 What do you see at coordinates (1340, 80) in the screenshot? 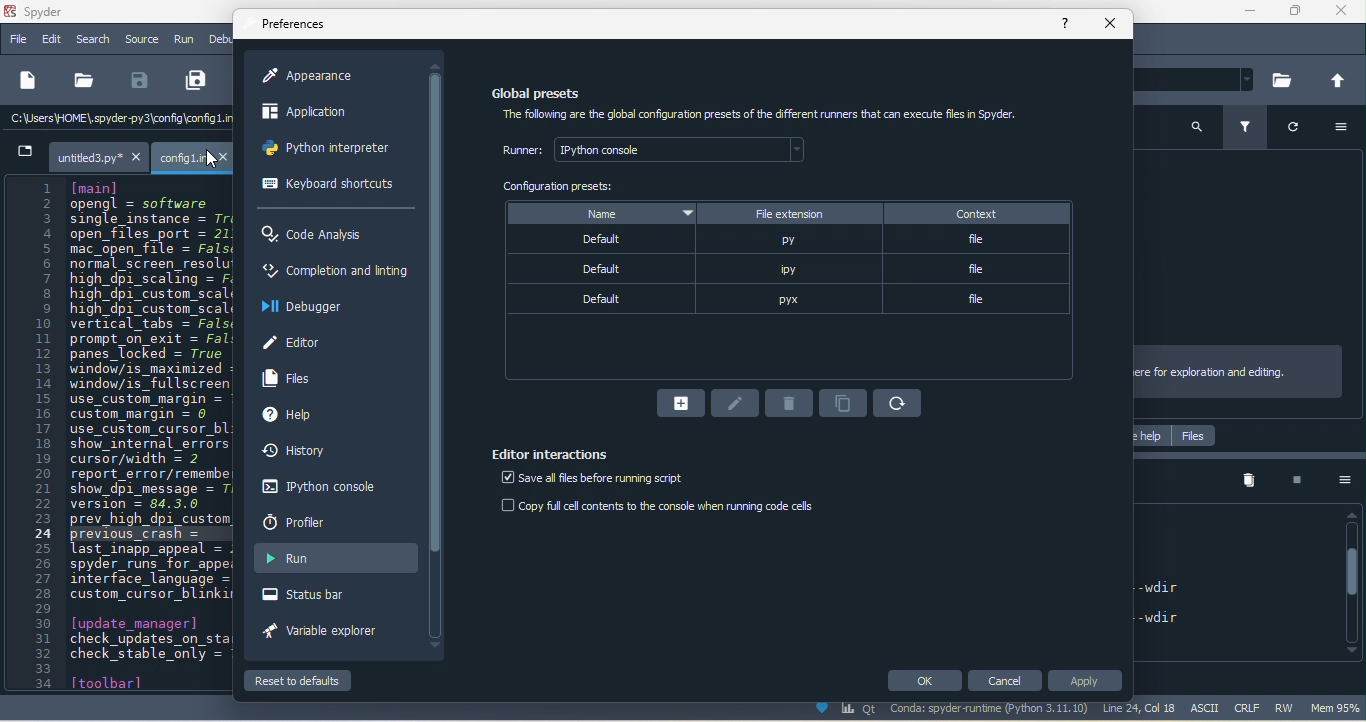
I see `change to parent directory` at bounding box center [1340, 80].